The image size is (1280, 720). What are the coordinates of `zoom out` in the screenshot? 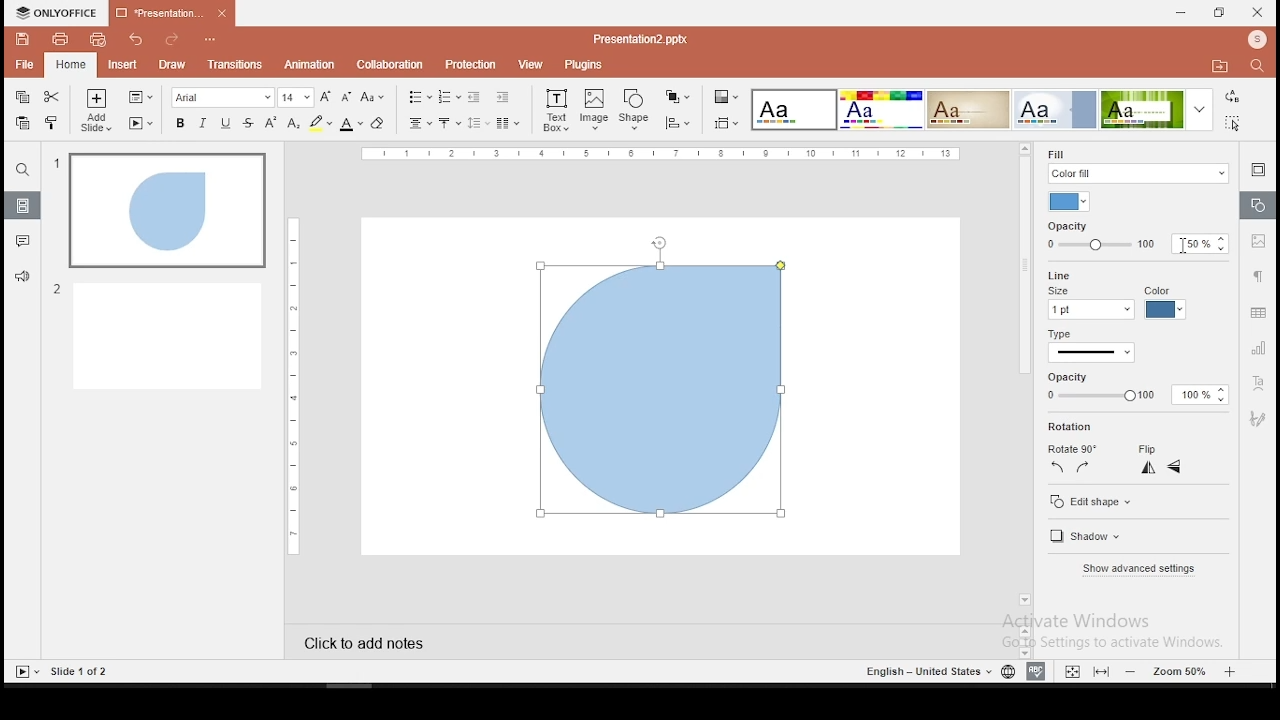 It's located at (1232, 671).